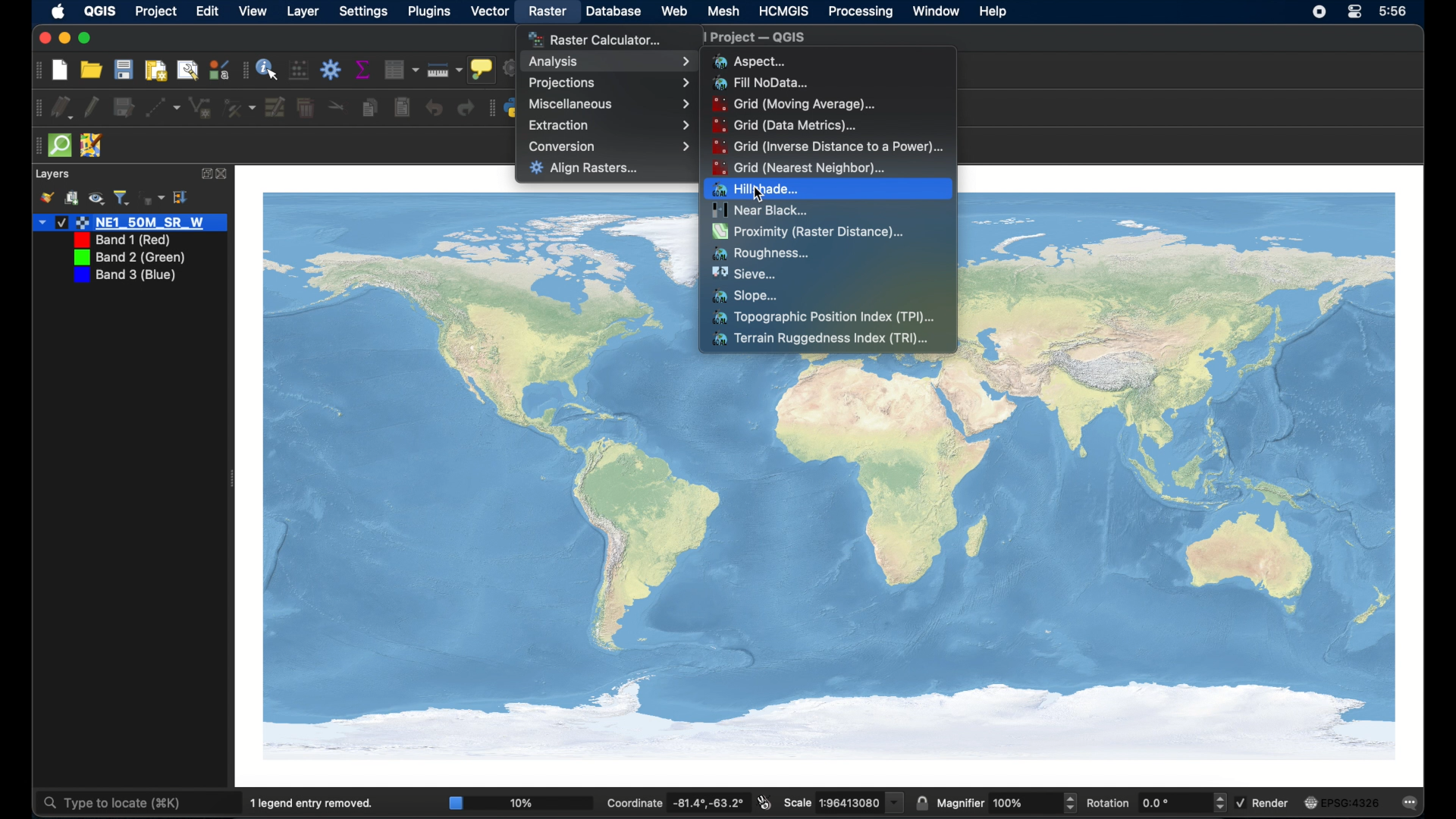 The image size is (1456, 819). Describe the element at coordinates (200, 108) in the screenshot. I see `line string` at that location.